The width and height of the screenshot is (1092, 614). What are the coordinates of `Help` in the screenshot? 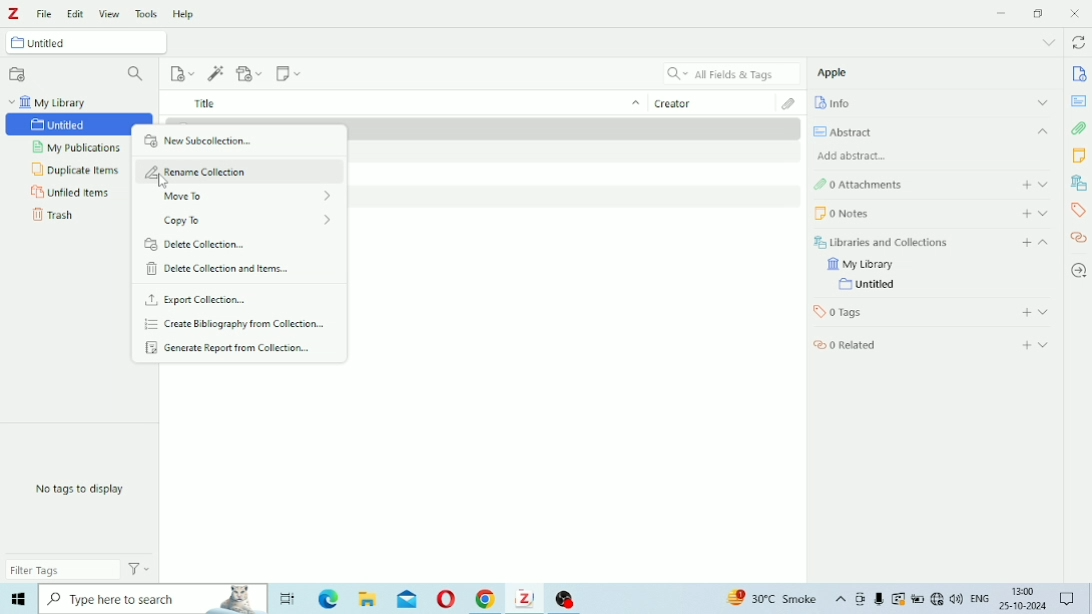 It's located at (185, 14).